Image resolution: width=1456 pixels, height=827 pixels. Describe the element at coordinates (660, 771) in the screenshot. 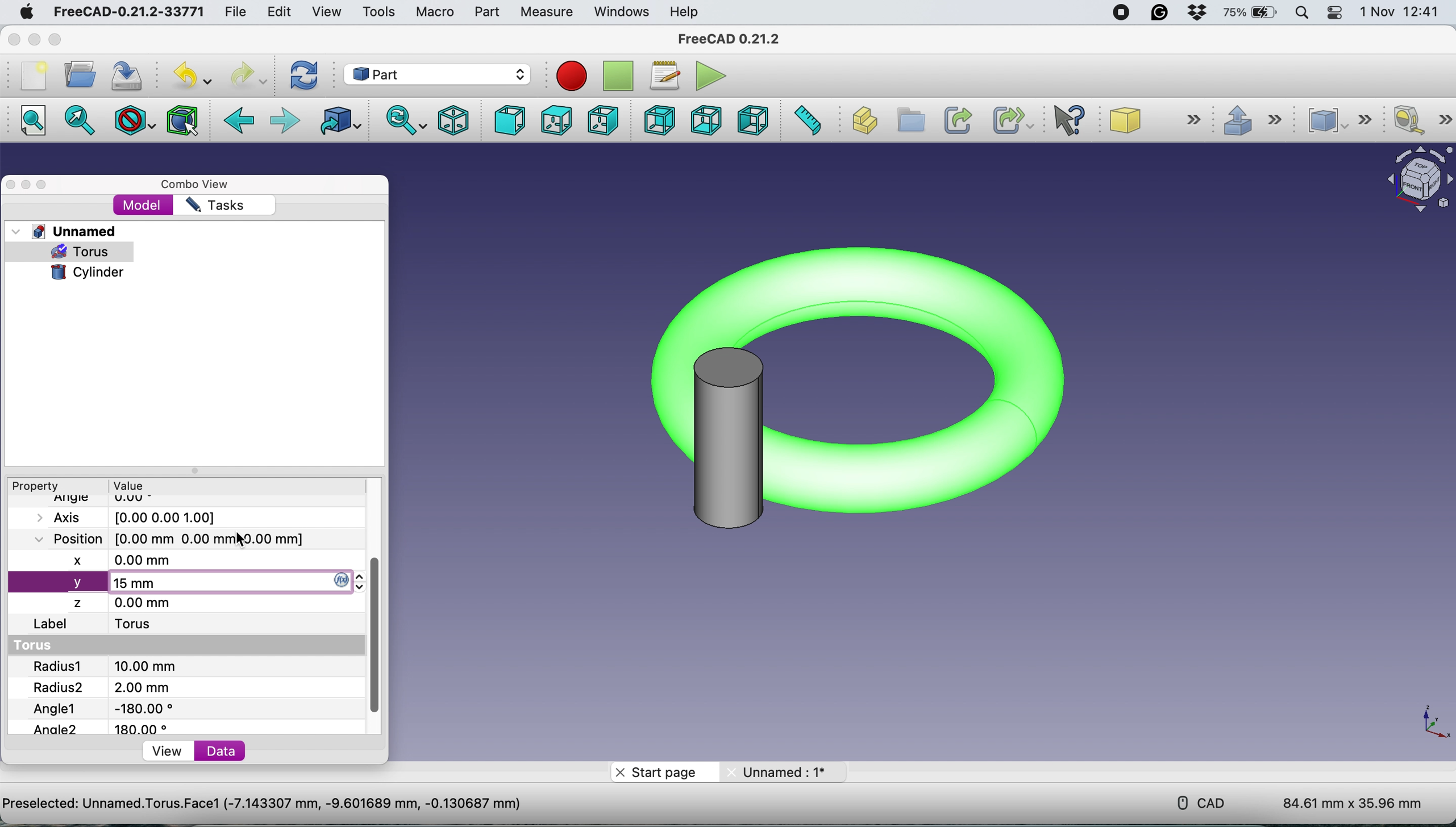

I see `start page` at that location.